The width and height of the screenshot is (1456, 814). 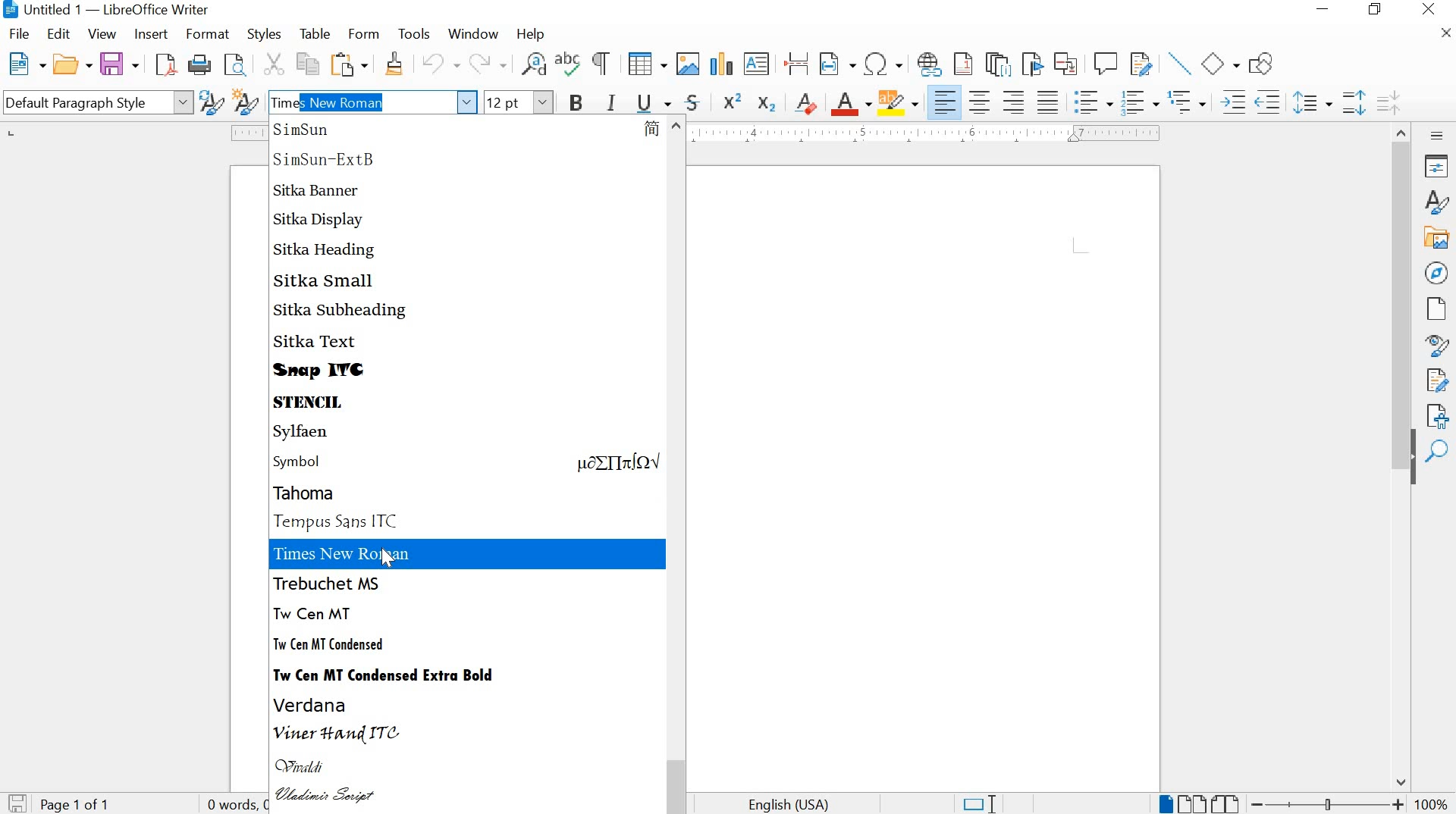 I want to click on BASIC SHAPES, so click(x=1221, y=62).